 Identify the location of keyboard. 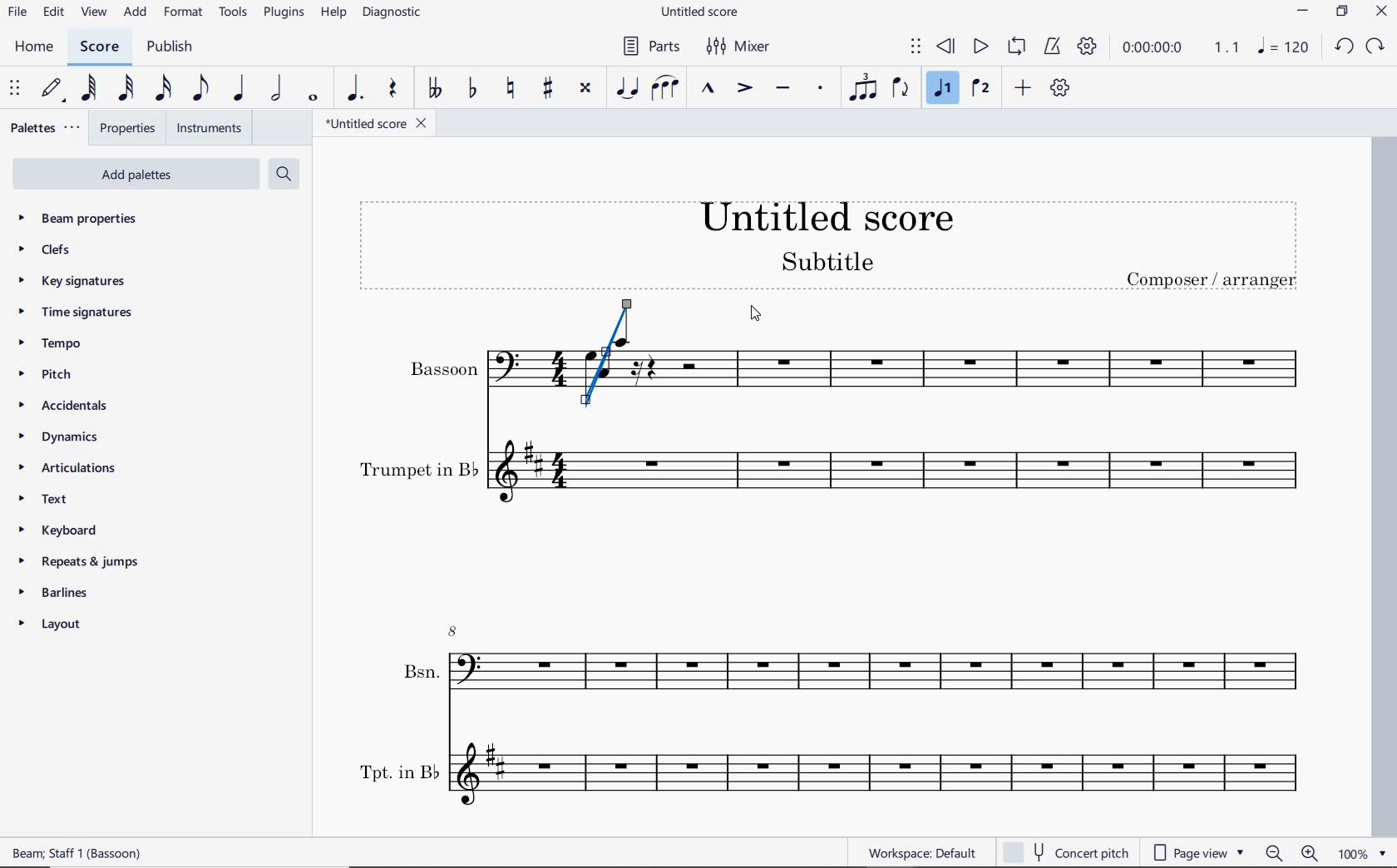
(62, 529).